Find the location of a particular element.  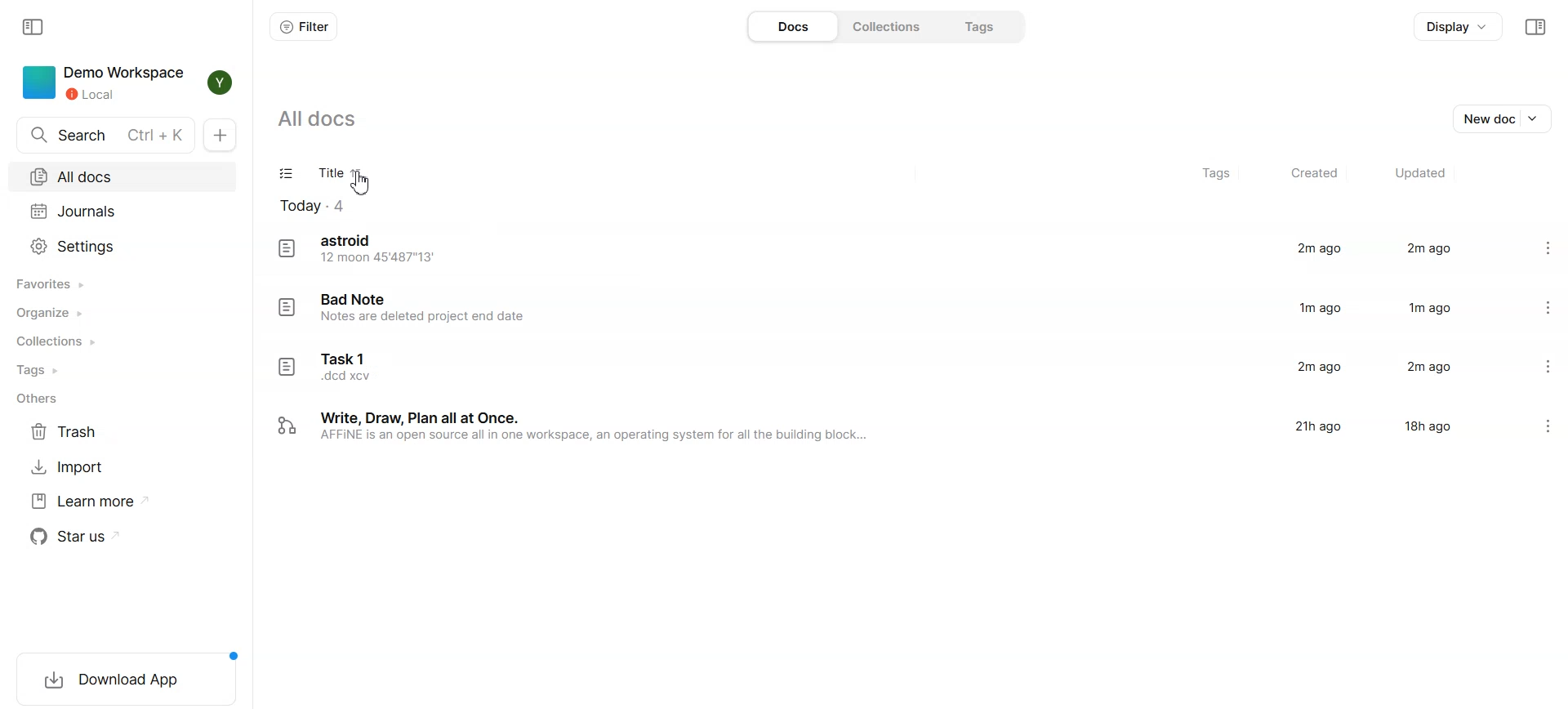

Checklist is located at coordinates (286, 173).